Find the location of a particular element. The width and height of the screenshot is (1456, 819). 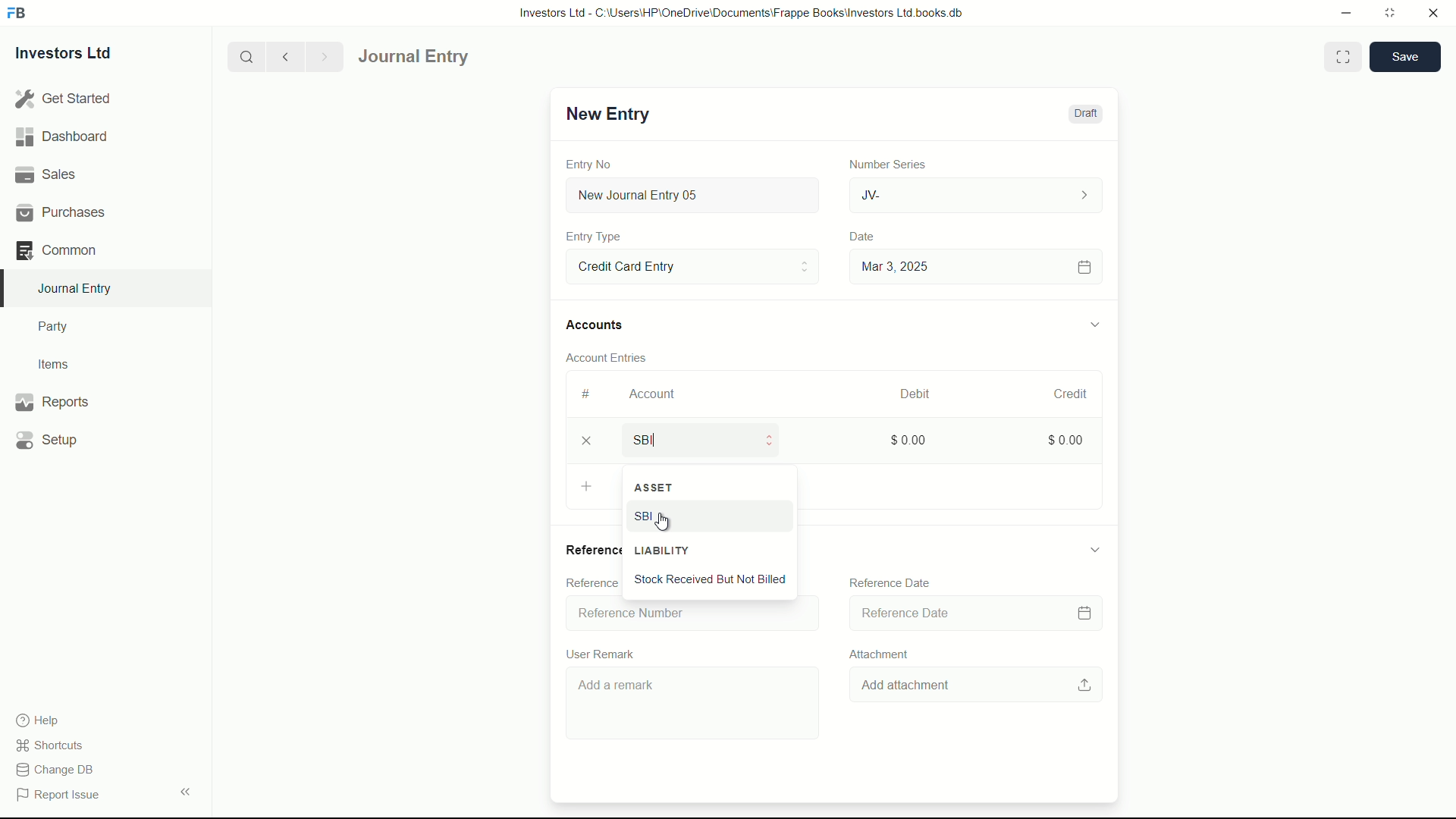

expand/collapse is located at coordinates (185, 790).